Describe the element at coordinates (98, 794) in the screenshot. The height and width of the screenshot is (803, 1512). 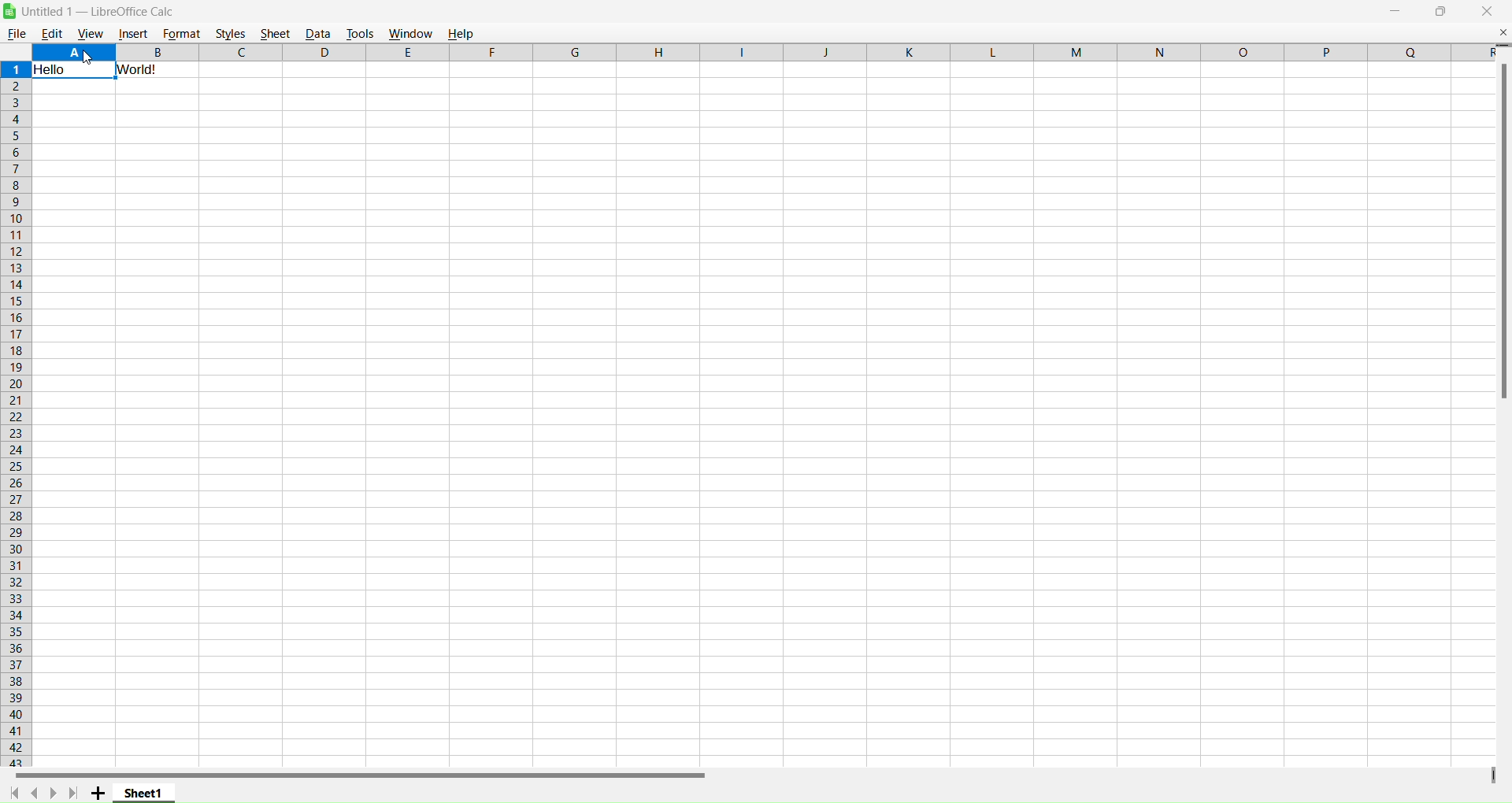
I see `Add New Sheet` at that location.